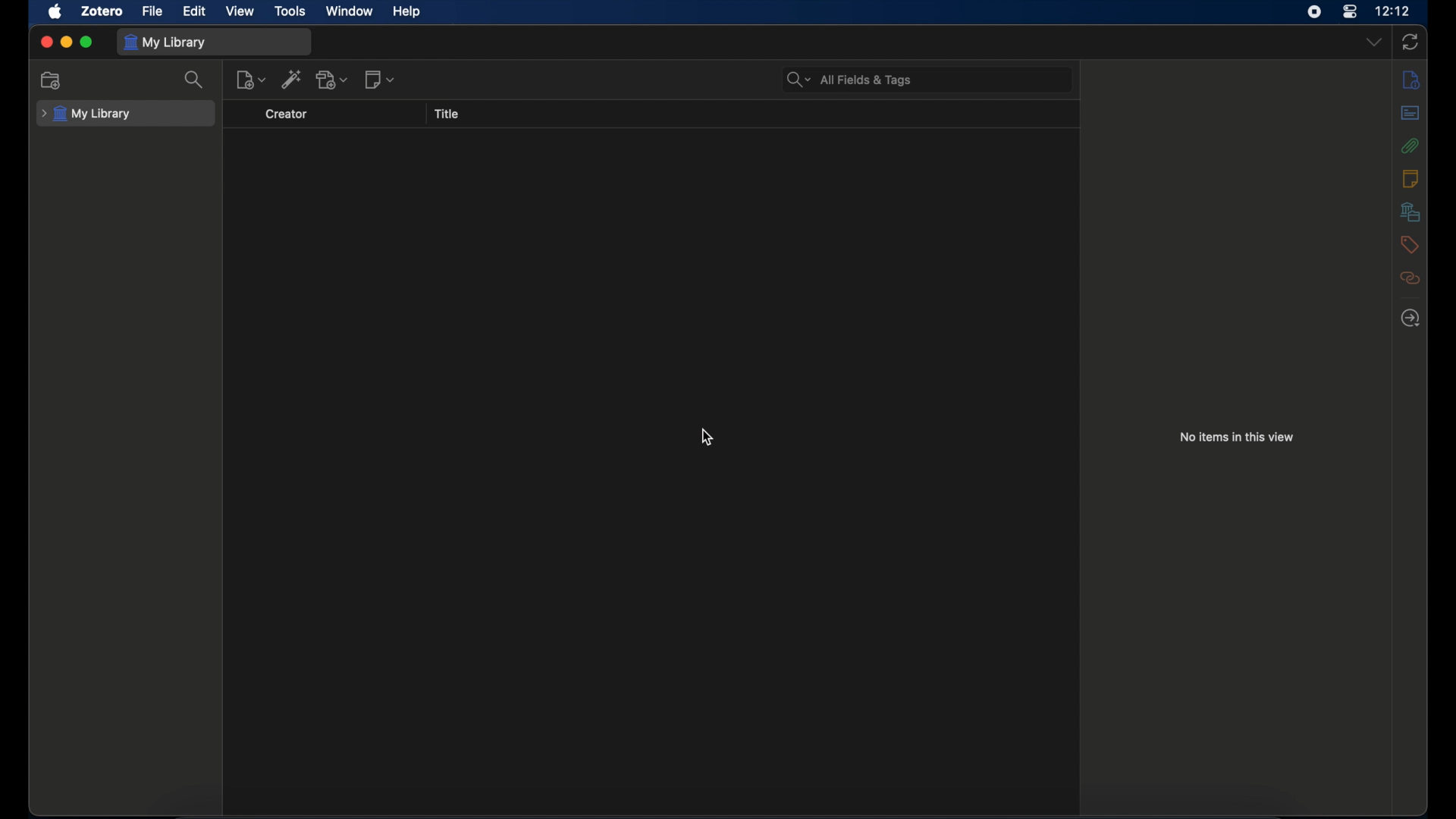 The image size is (1456, 819). I want to click on no item in this view, so click(1238, 437).